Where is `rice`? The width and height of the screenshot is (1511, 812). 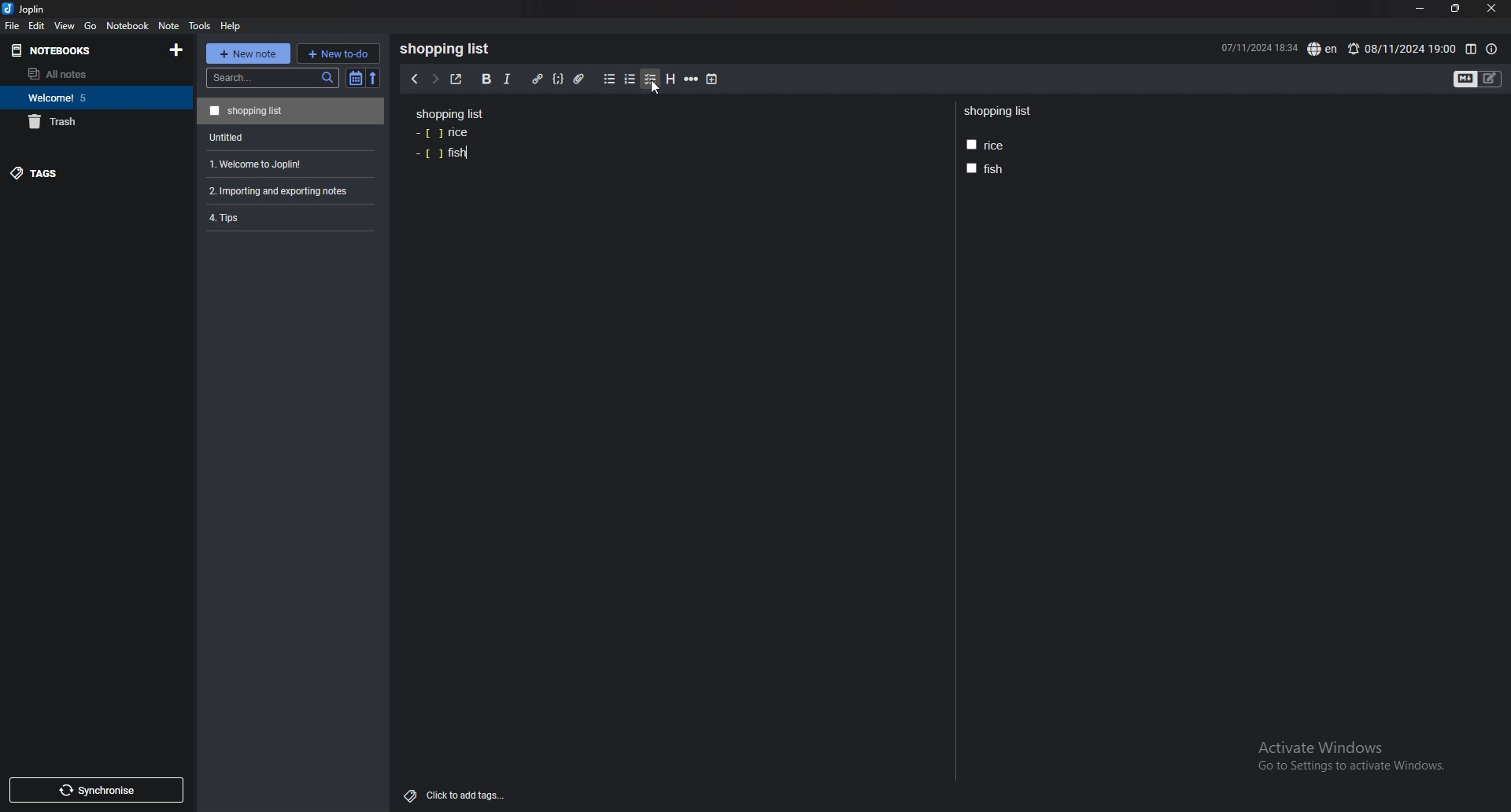 rice is located at coordinates (985, 146).